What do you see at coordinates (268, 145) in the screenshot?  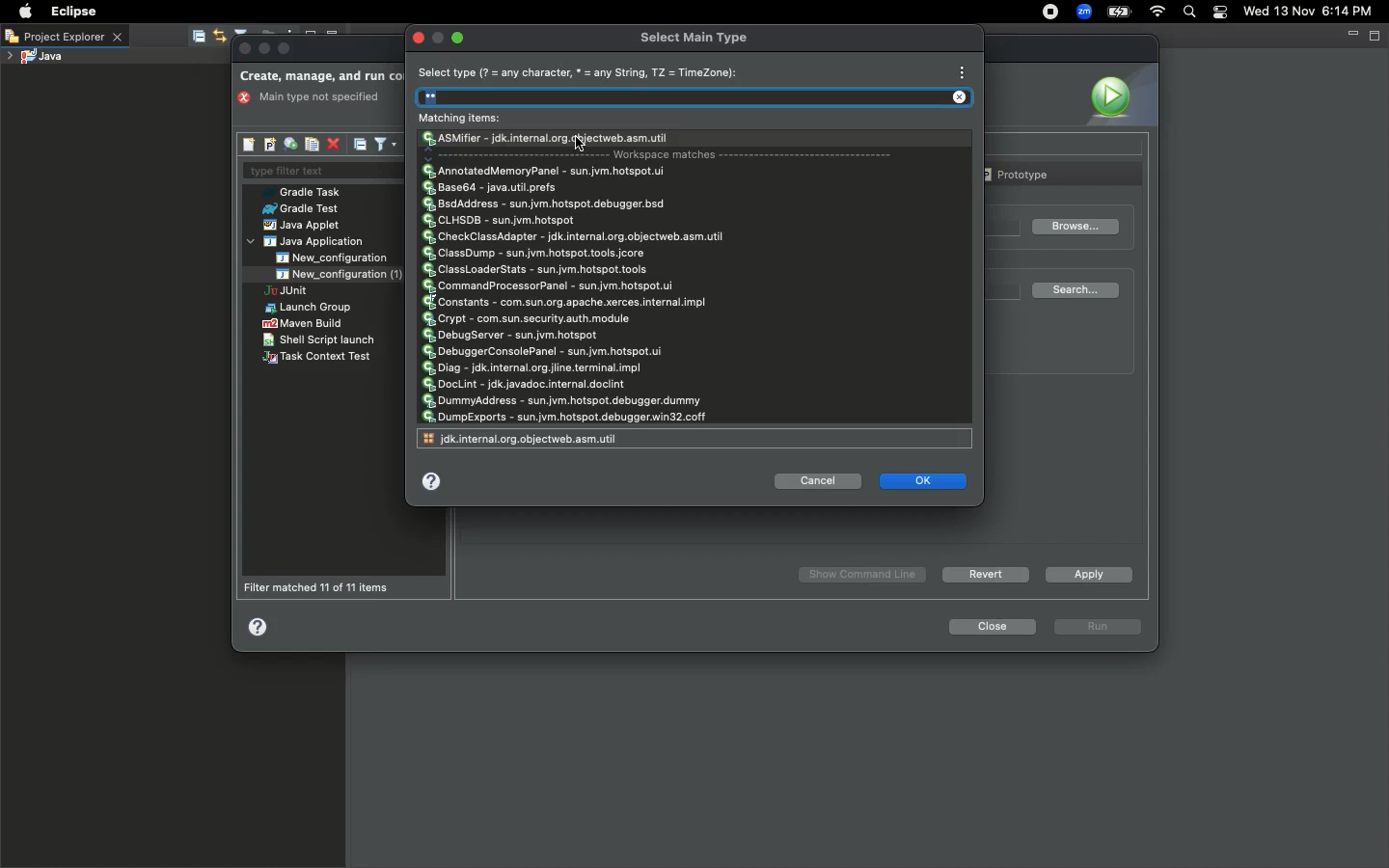 I see `New launch configuration prototype` at bounding box center [268, 145].